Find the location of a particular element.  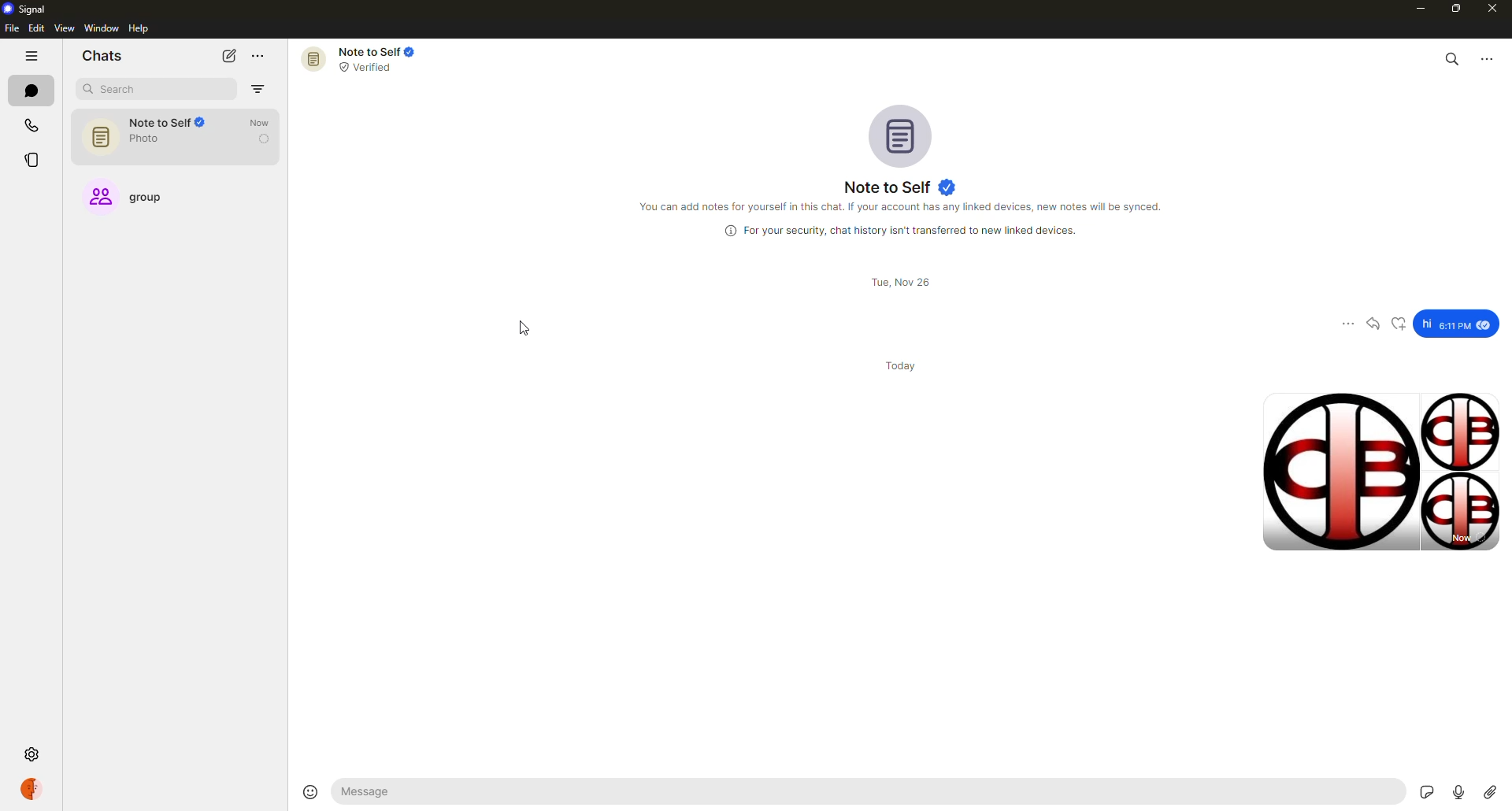

close is located at coordinates (1495, 9).